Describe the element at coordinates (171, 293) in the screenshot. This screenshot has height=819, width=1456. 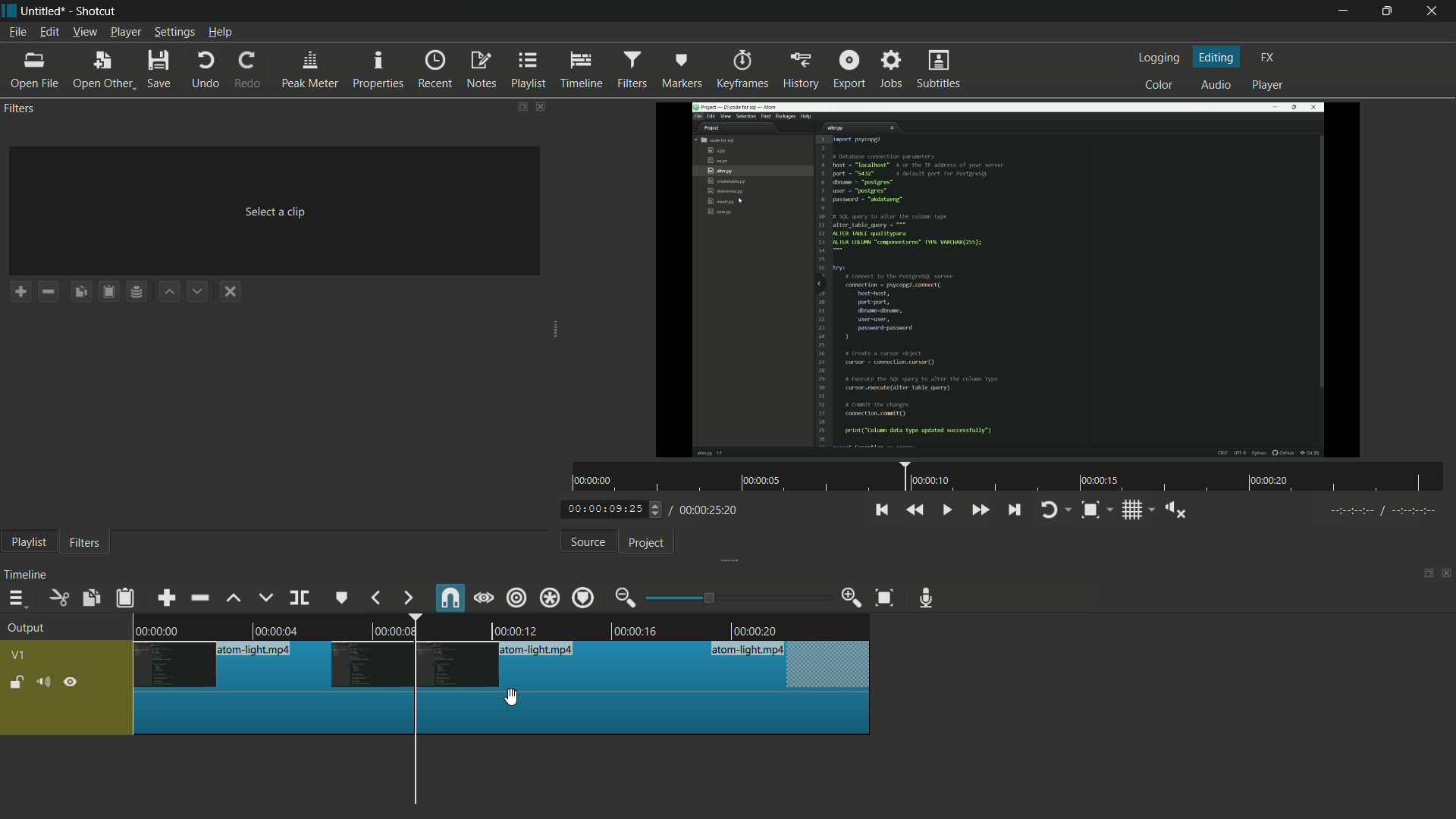
I see `move filter up` at that location.